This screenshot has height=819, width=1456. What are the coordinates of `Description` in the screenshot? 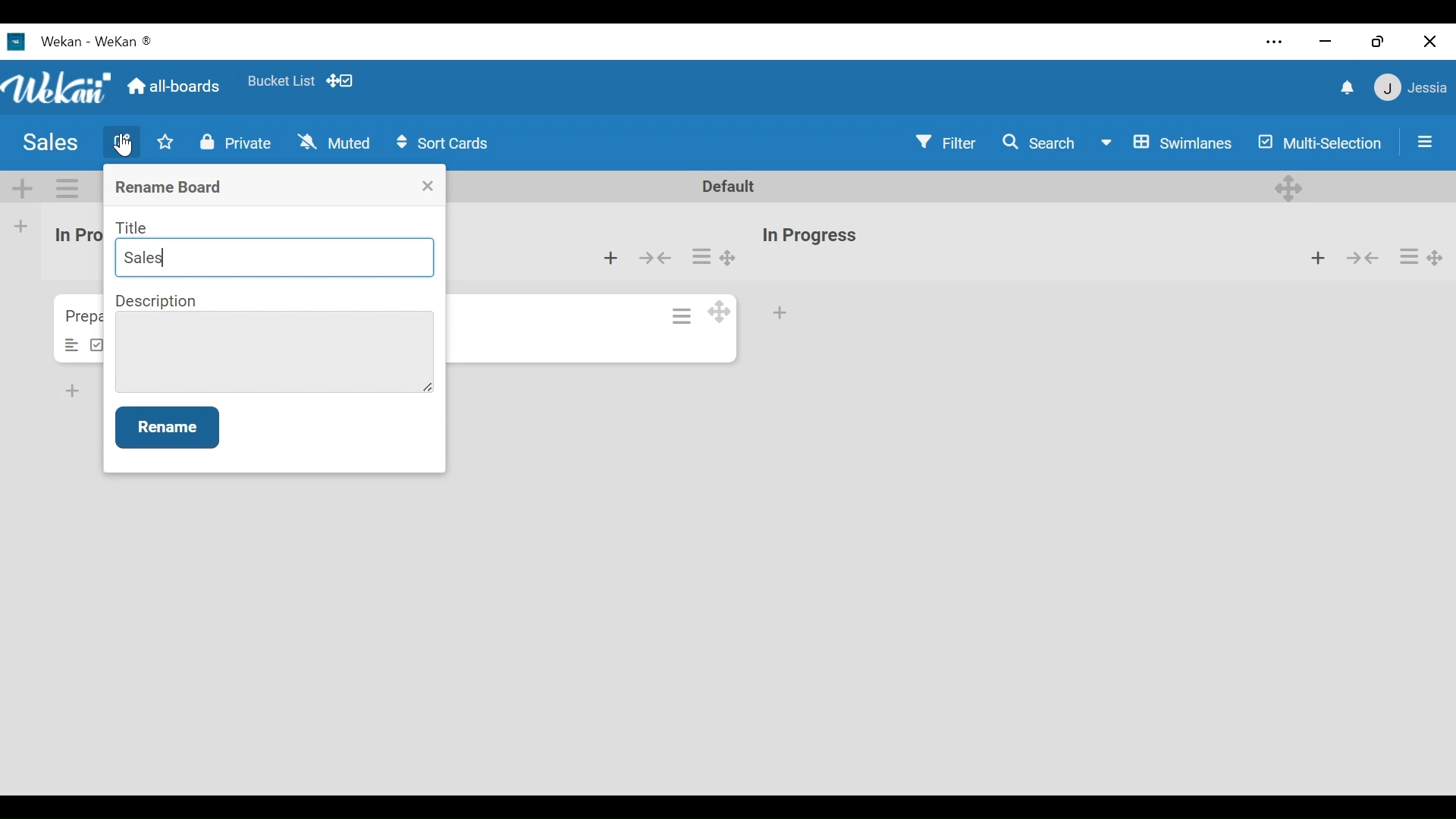 It's located at (158, 301).